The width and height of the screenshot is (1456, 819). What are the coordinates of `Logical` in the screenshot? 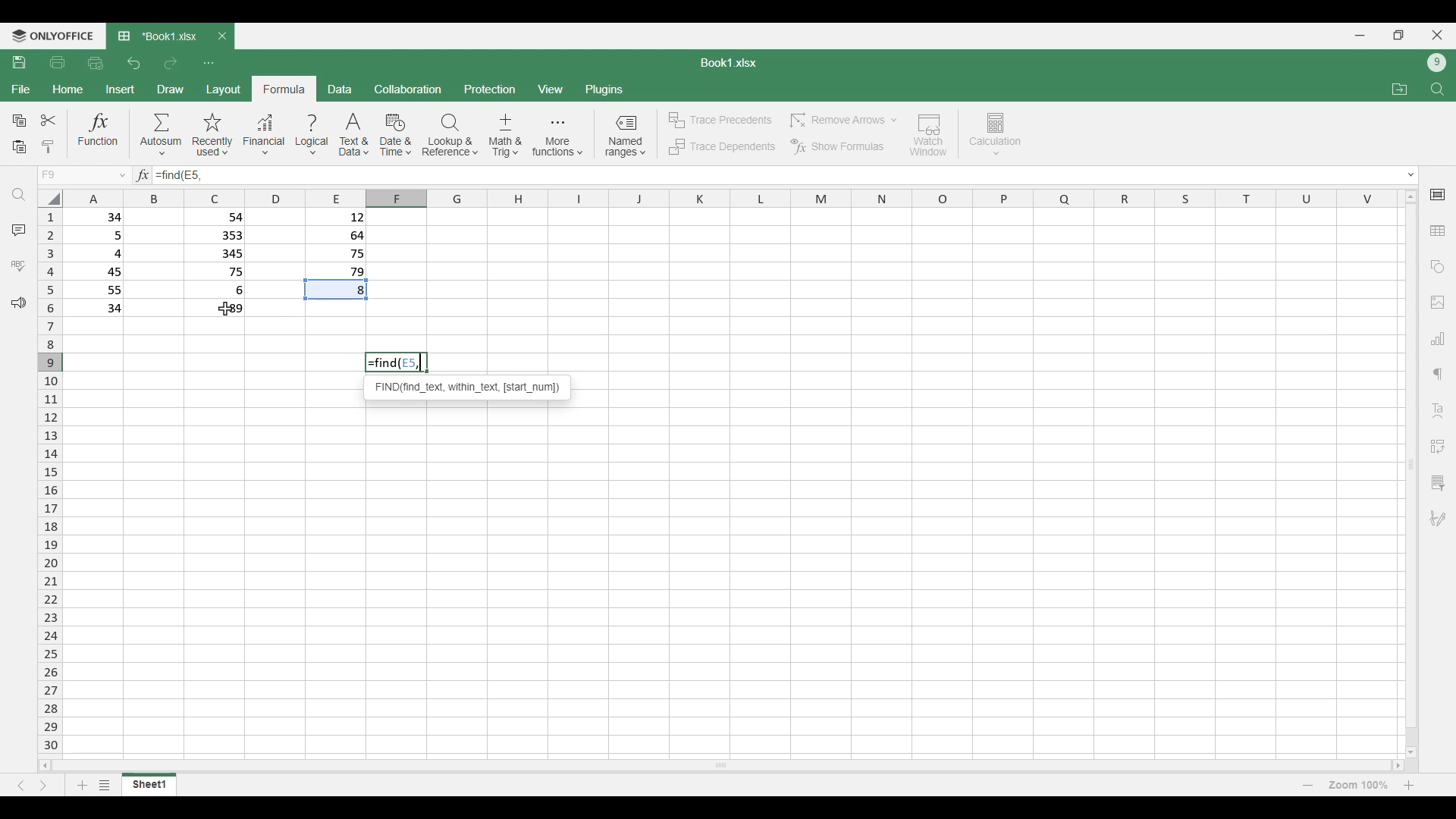 It's located at (312, 135).